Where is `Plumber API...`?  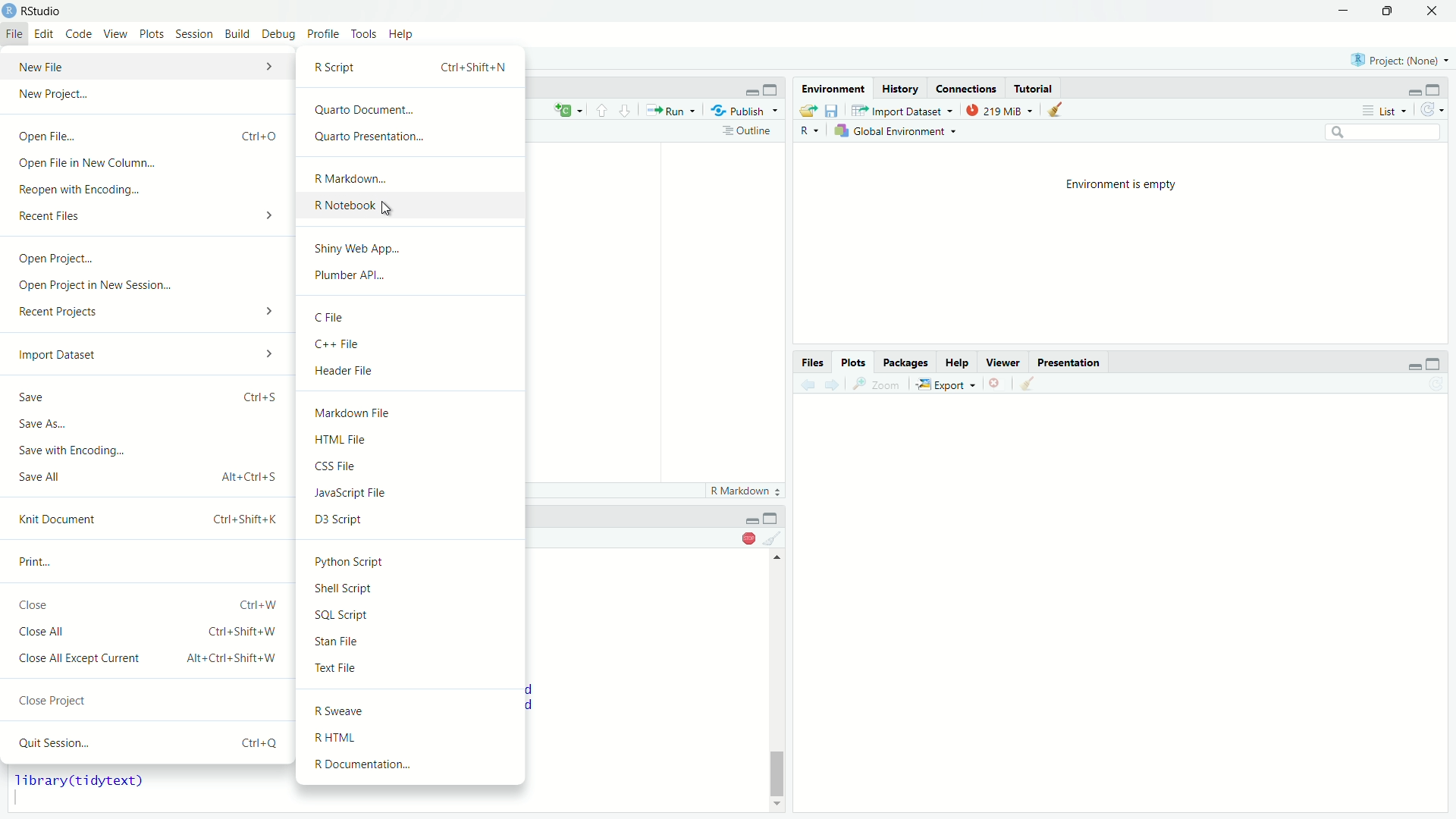
Plumber API... is located at coordinates (412, 274).